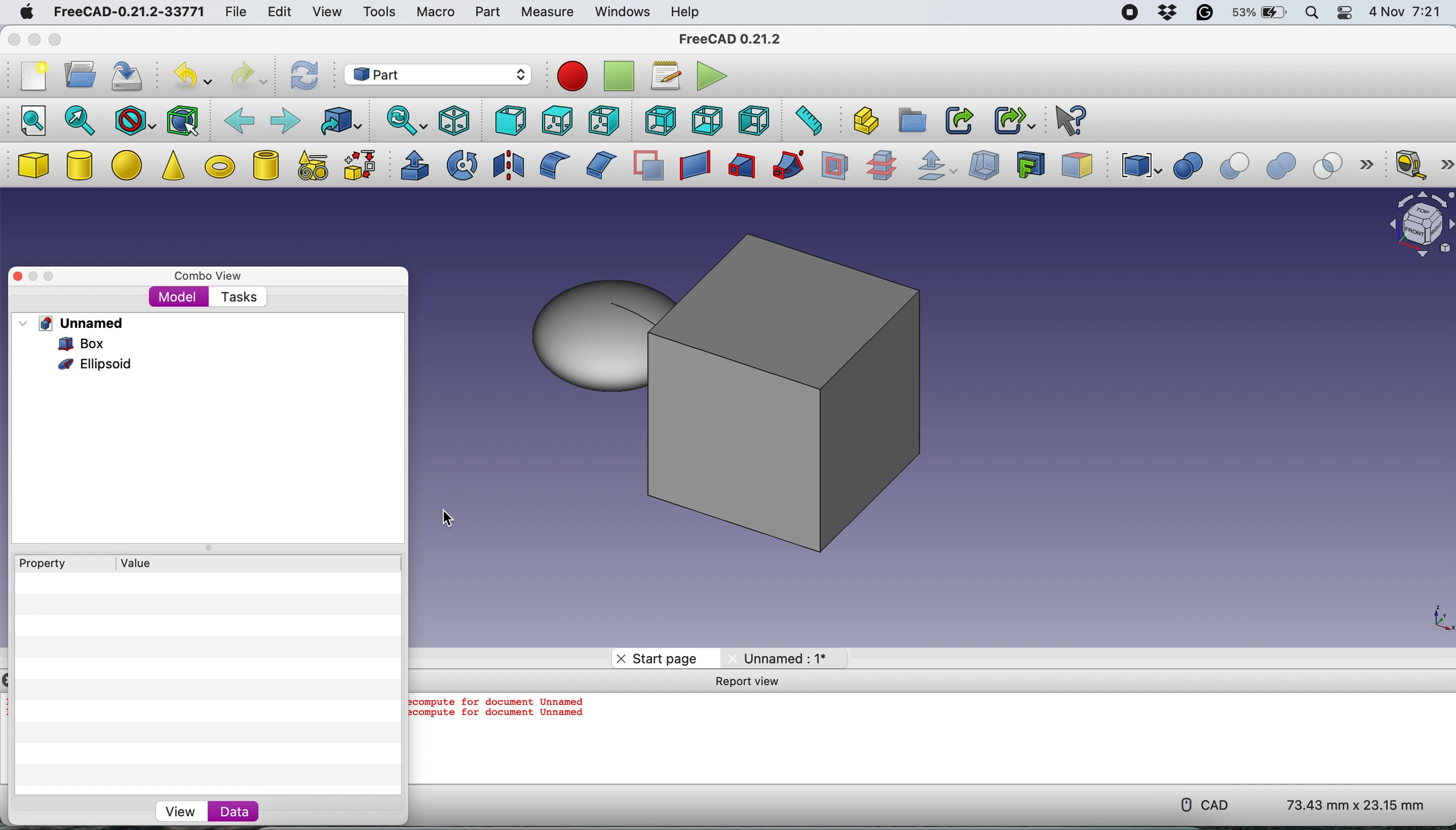 This screenshot has width=1456, height=830. I want to click on section, so click(835, 169).